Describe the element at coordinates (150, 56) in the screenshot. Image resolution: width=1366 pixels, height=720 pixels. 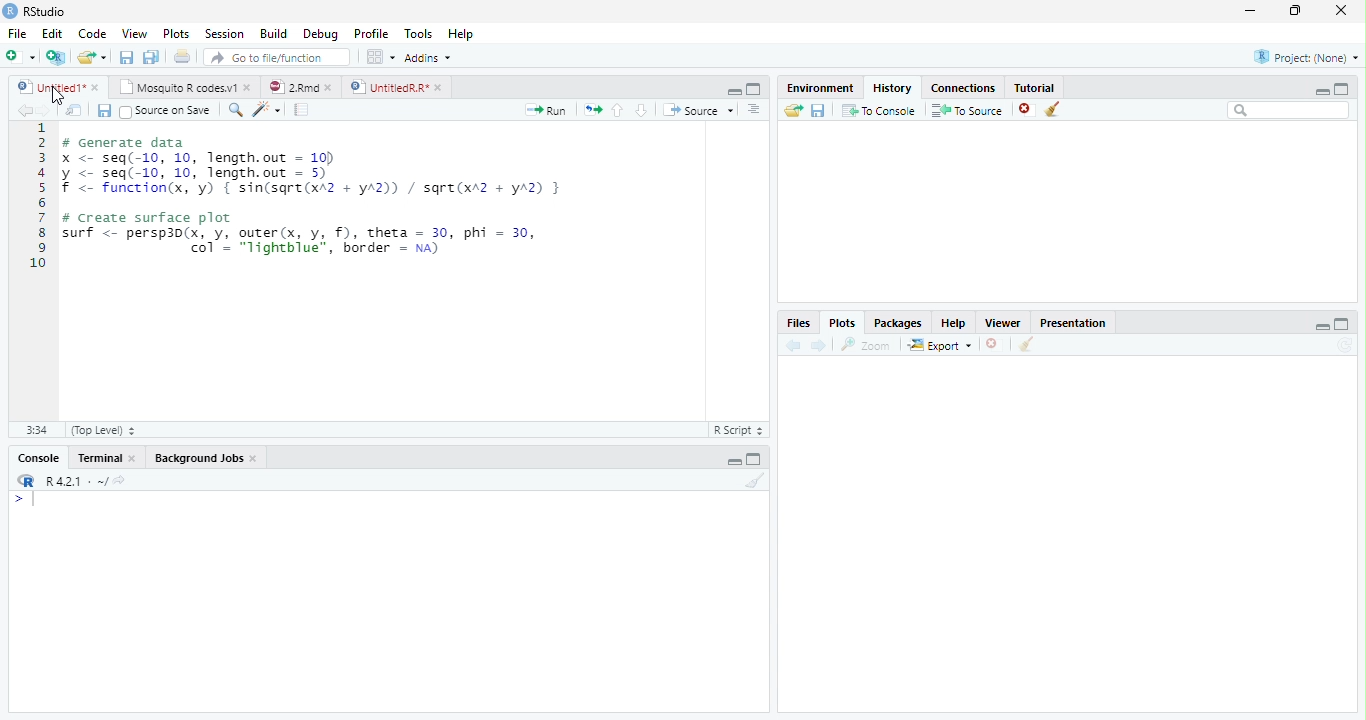
I see `Save all open documents` at that location.